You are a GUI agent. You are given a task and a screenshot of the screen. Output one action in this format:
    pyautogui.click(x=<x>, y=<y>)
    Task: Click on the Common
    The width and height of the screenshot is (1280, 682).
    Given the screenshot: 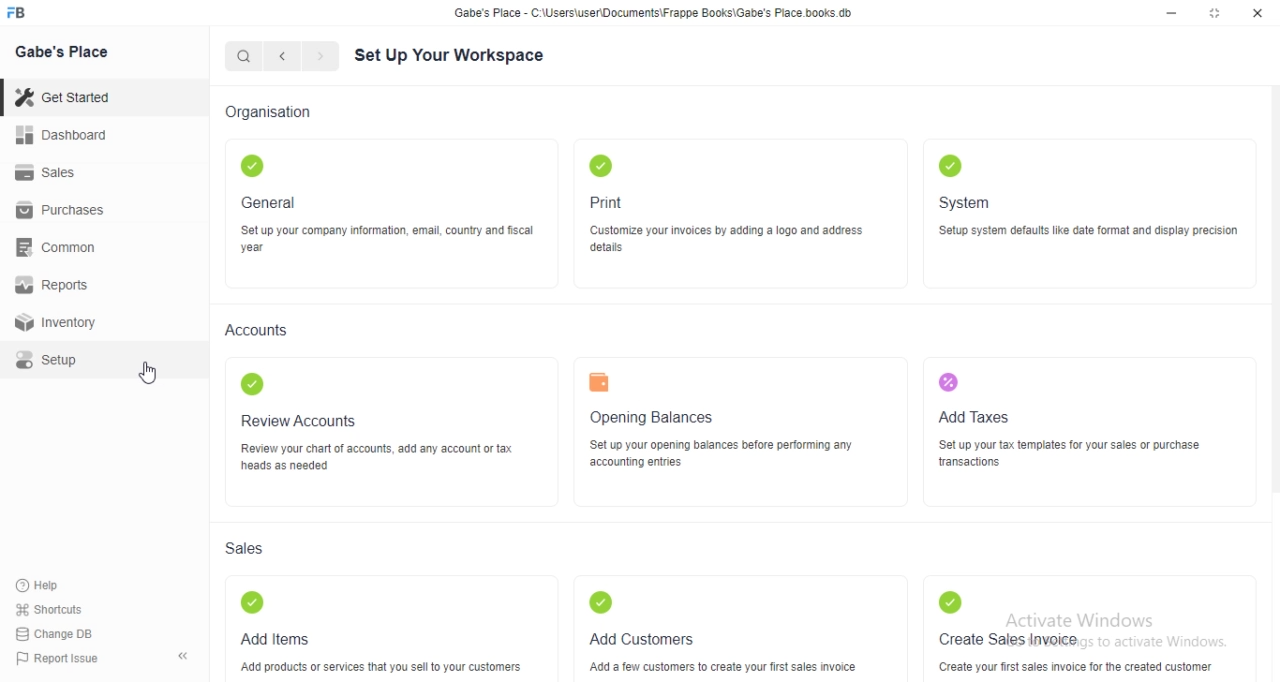 What is the action you would take?
    pyautogui.click(x=62, y=250)
    